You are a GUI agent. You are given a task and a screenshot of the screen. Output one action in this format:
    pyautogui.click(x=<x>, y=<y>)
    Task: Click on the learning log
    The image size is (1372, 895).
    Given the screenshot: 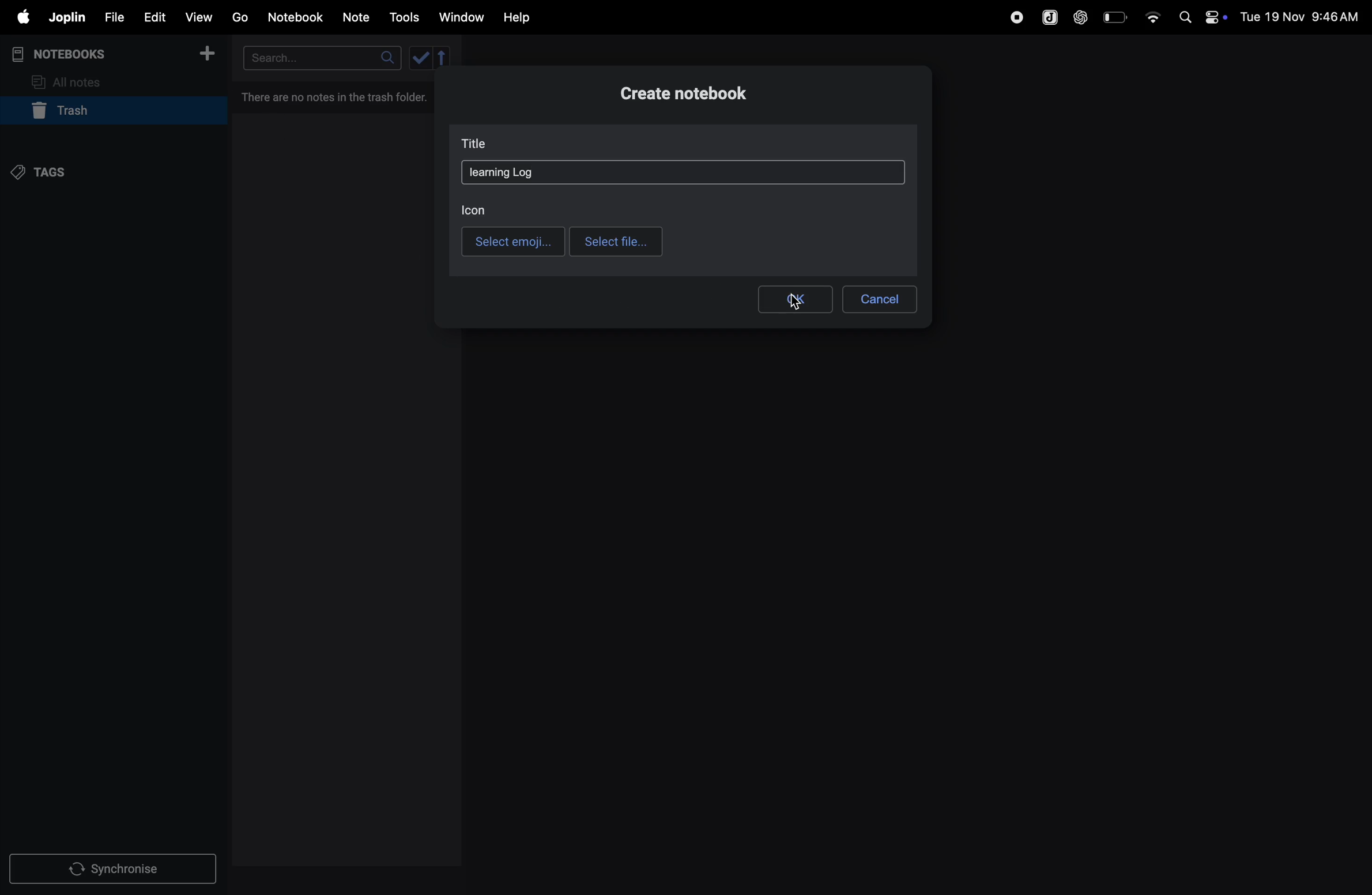 What is the action you would take?
    pyautogui.click(x=502, y=172)
    